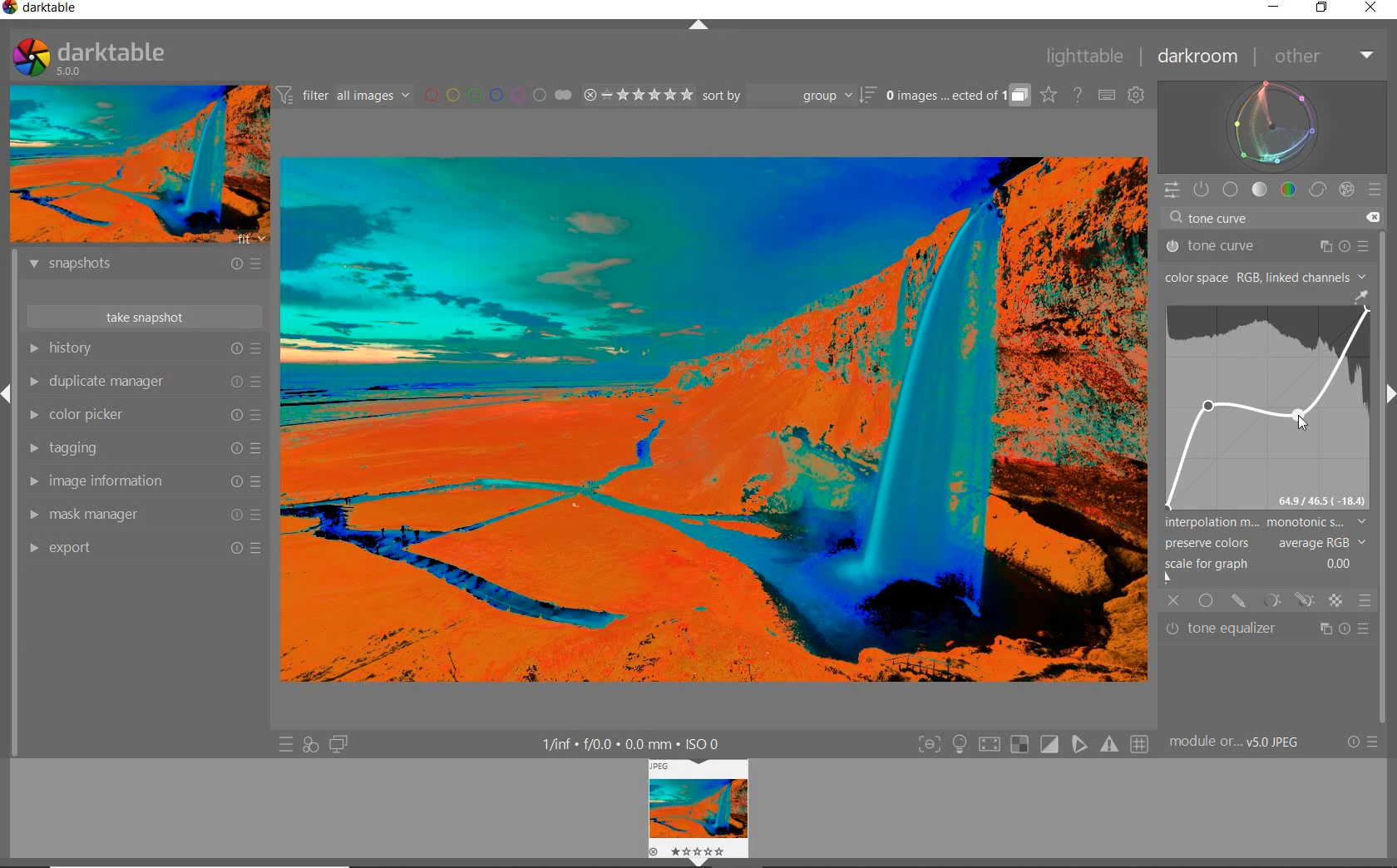  I want to click on QUICK ACCESS FOR APPLYING ANY OF YOUR STYLES, so click(309, 746).